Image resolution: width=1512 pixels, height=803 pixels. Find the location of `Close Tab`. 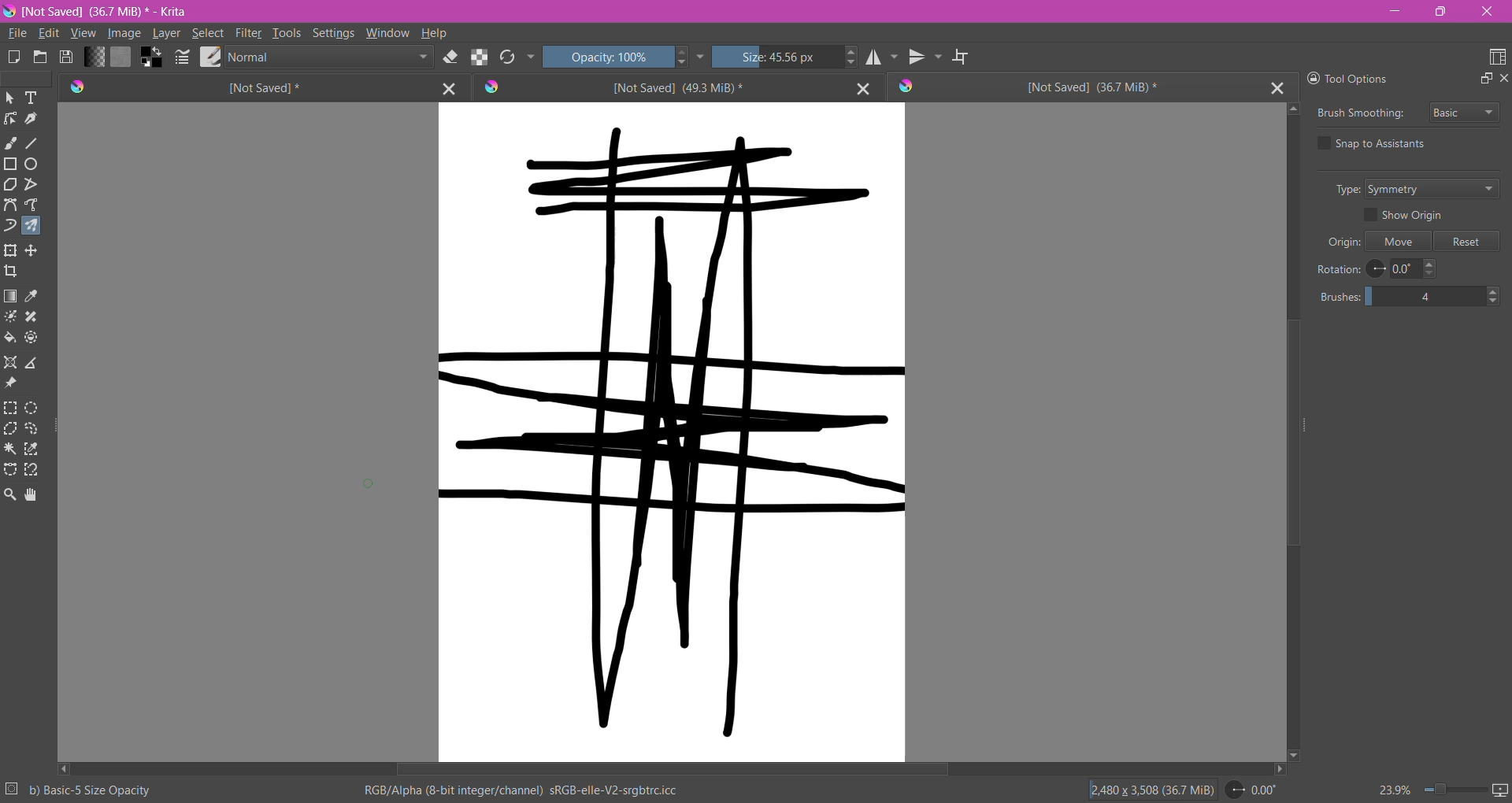

Close Tab is located at coordinates (446, 87).